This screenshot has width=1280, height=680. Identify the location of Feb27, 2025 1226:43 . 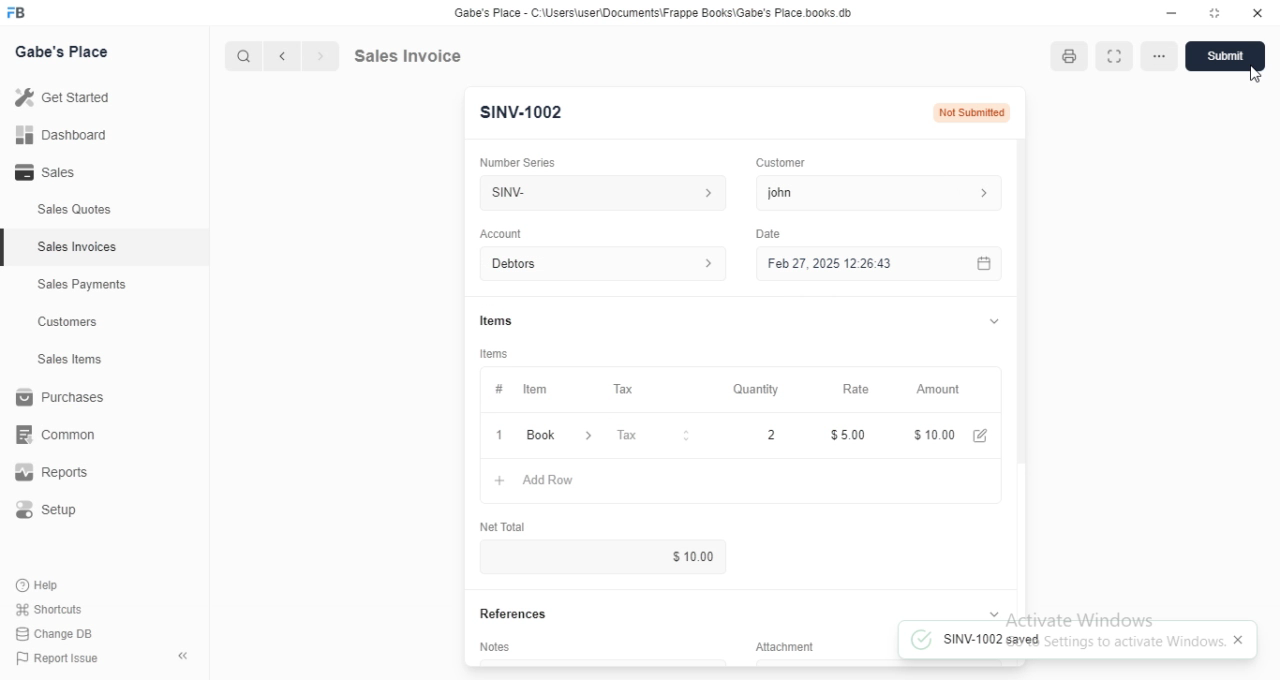
(826, 266).